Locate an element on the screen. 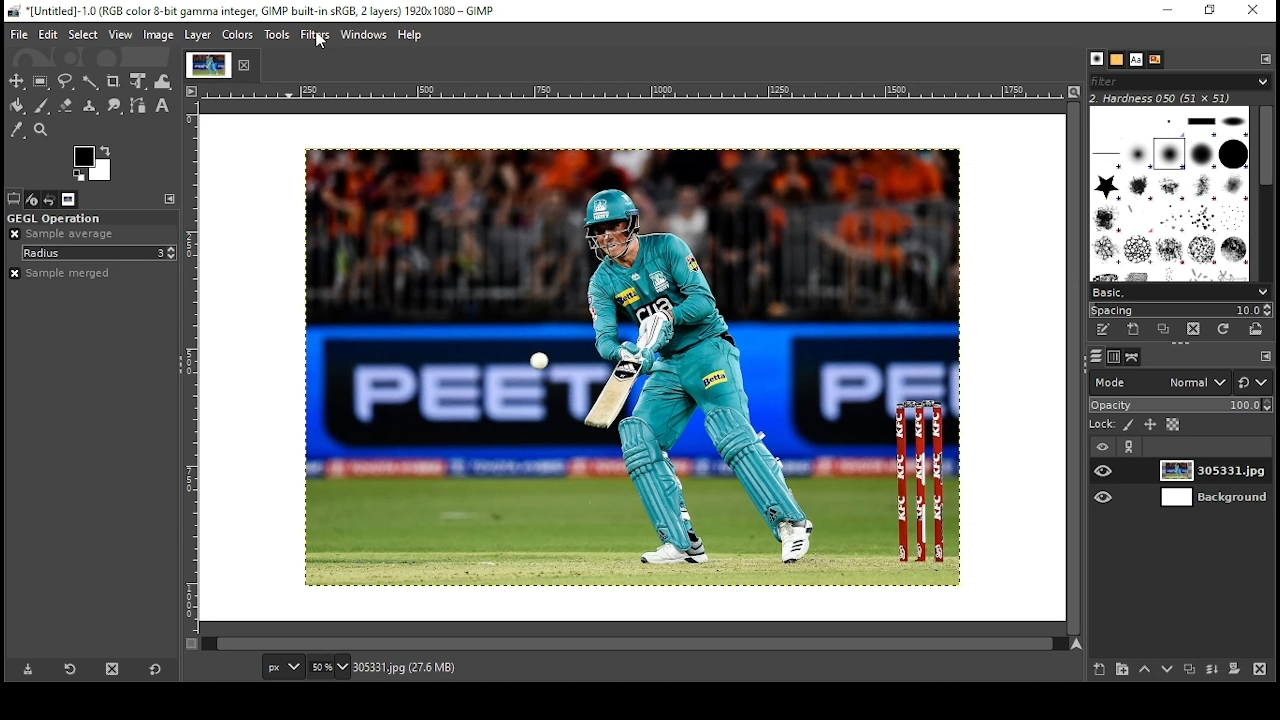 The width and height of the screenshot is (1280, 720). file is located at coordinates (20, 35).